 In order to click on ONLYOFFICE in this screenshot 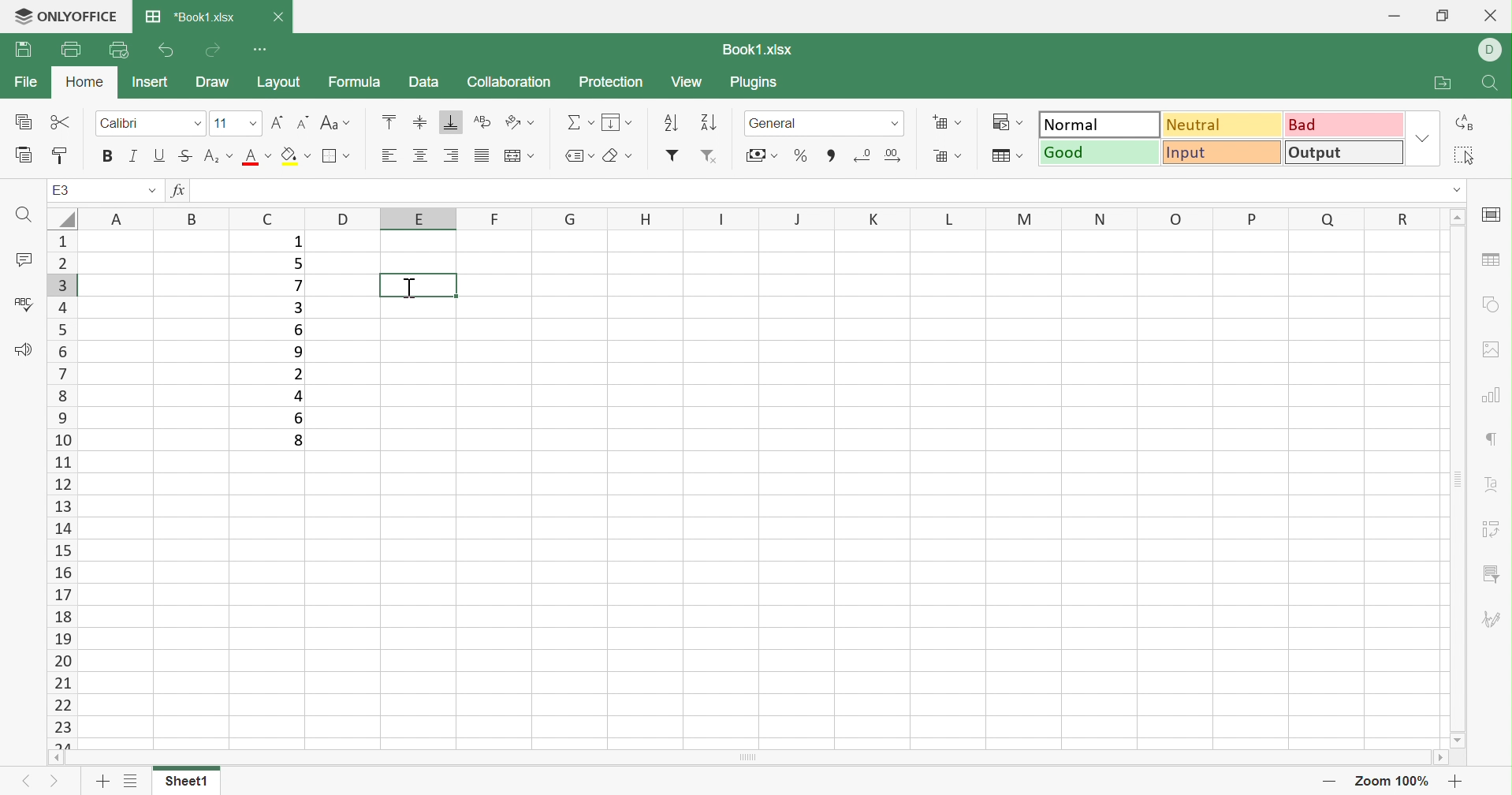, I will do `click(63, 17)`.